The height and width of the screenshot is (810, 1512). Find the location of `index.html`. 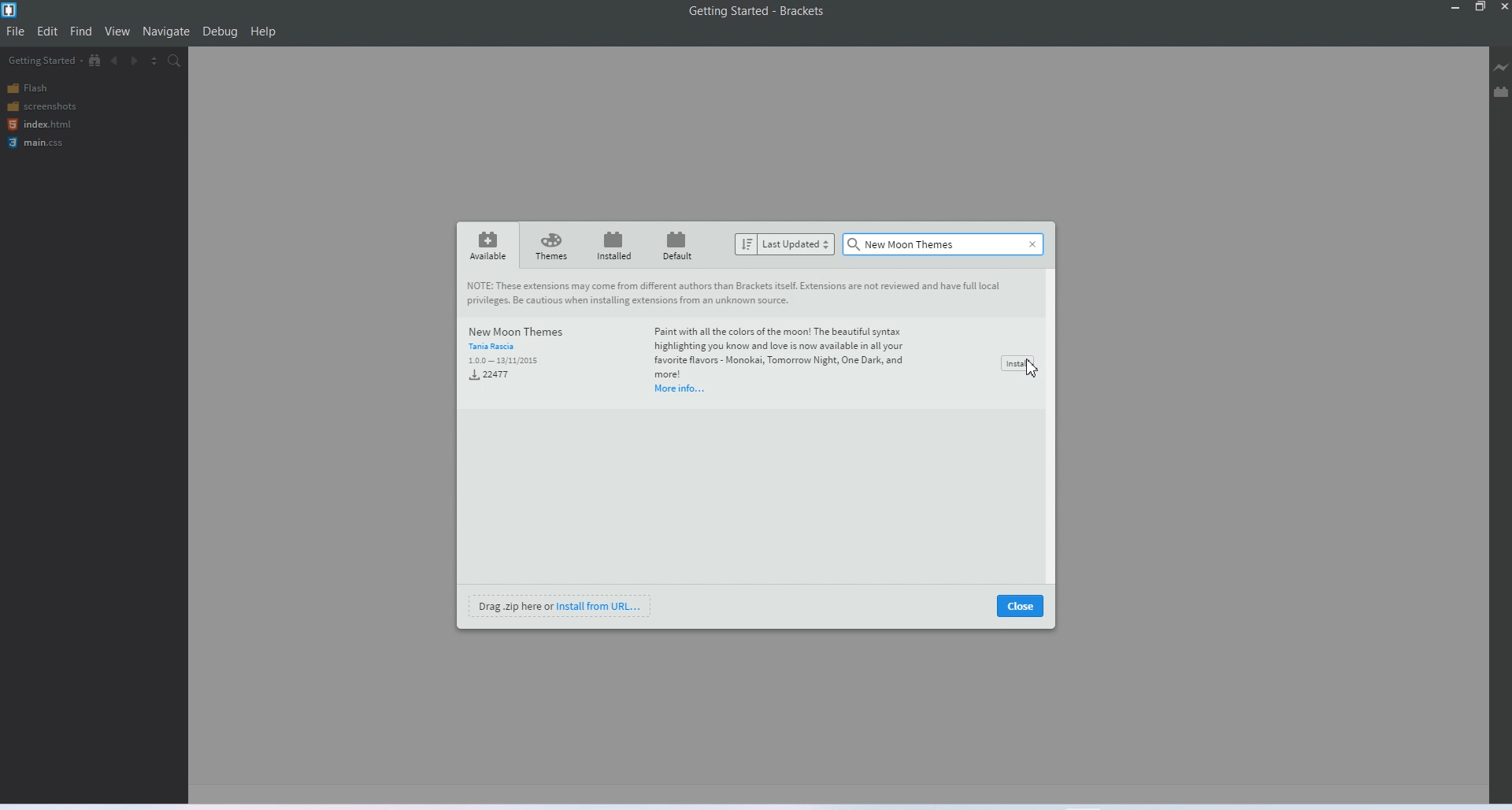

index.html is located at coordinates (38, 124).